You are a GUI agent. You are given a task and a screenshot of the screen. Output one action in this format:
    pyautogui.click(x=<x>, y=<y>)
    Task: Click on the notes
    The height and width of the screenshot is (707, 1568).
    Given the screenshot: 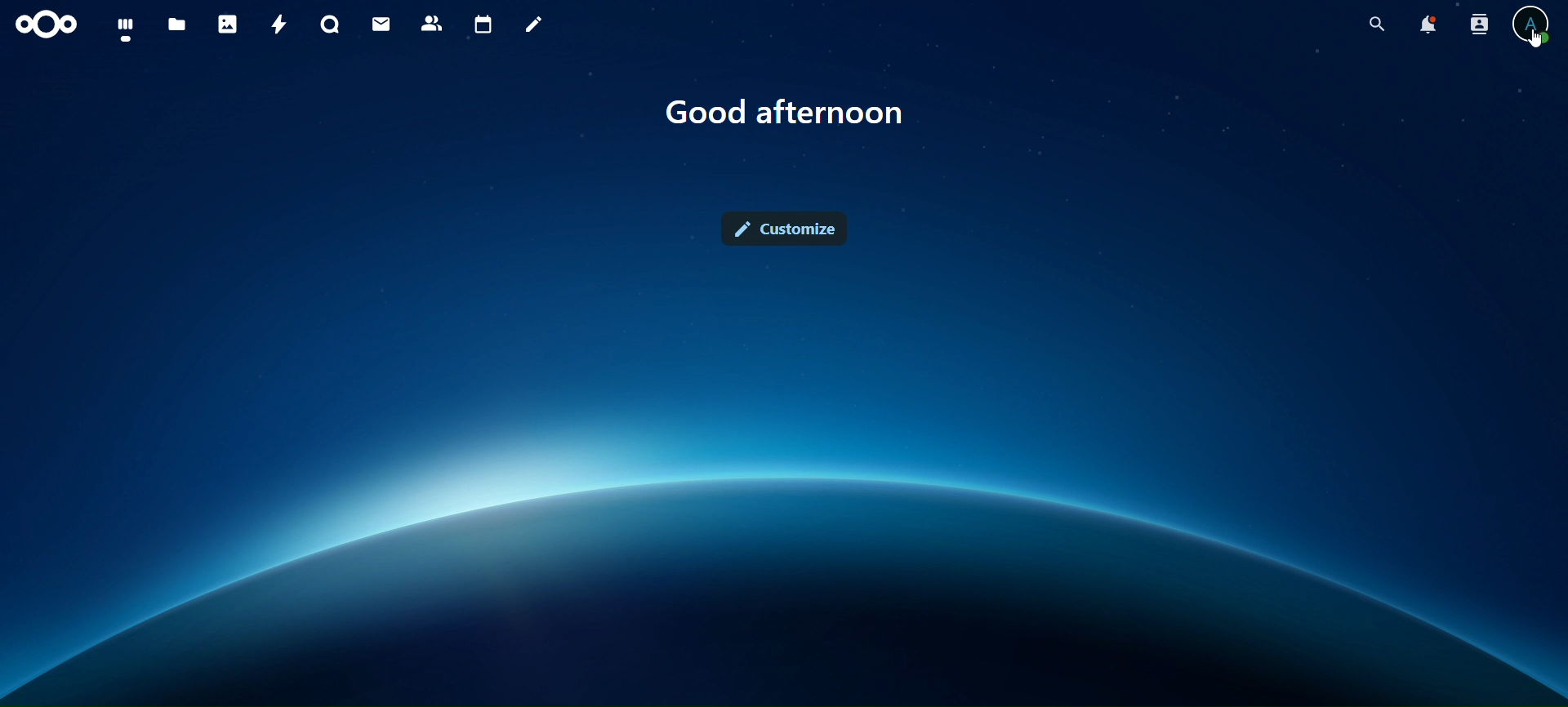 What is the action you would take?
    pyautogui.click(x=534, y=25)
    